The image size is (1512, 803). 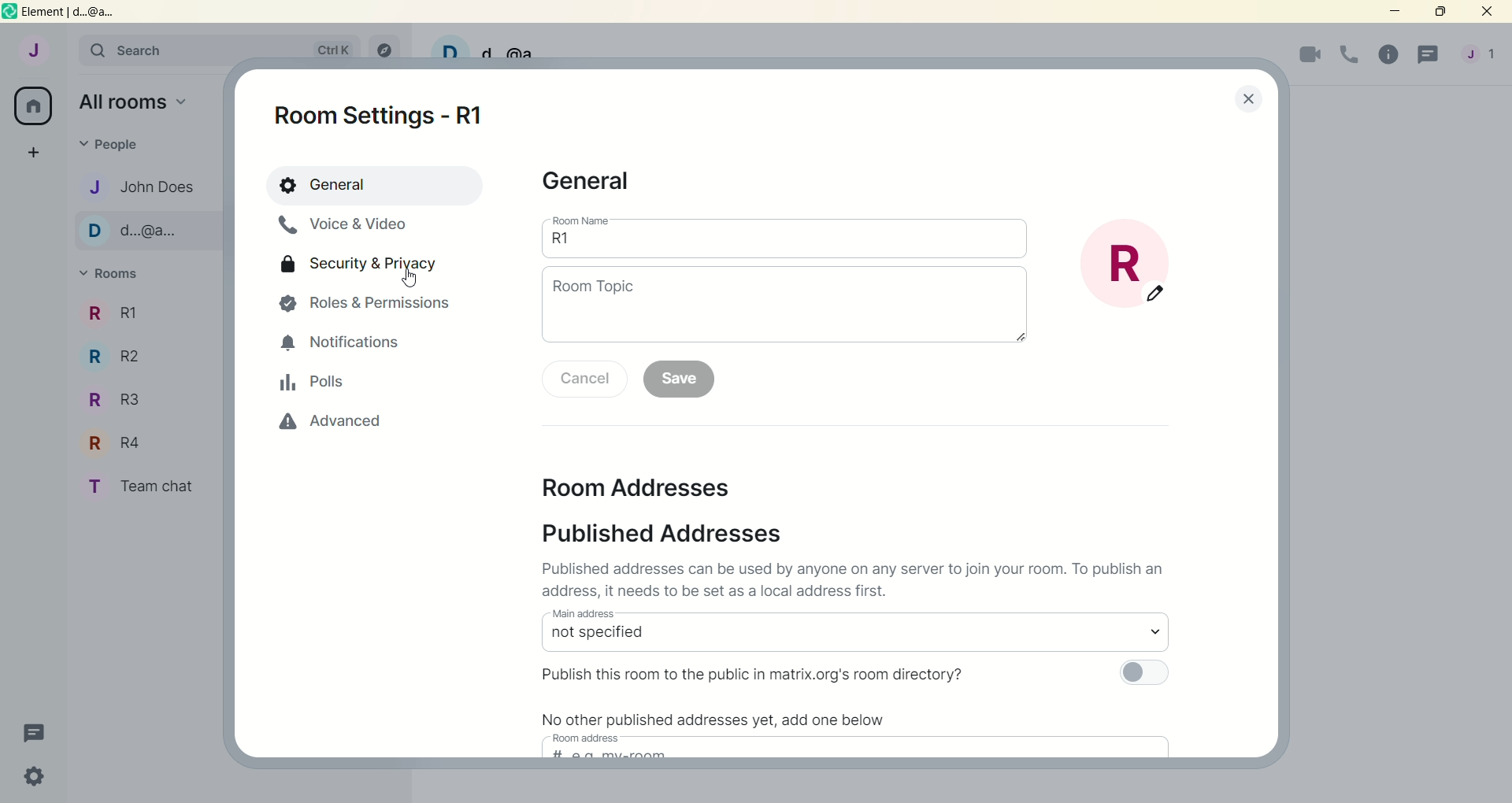 I want to click on room info, so click(x=1385, y=54).